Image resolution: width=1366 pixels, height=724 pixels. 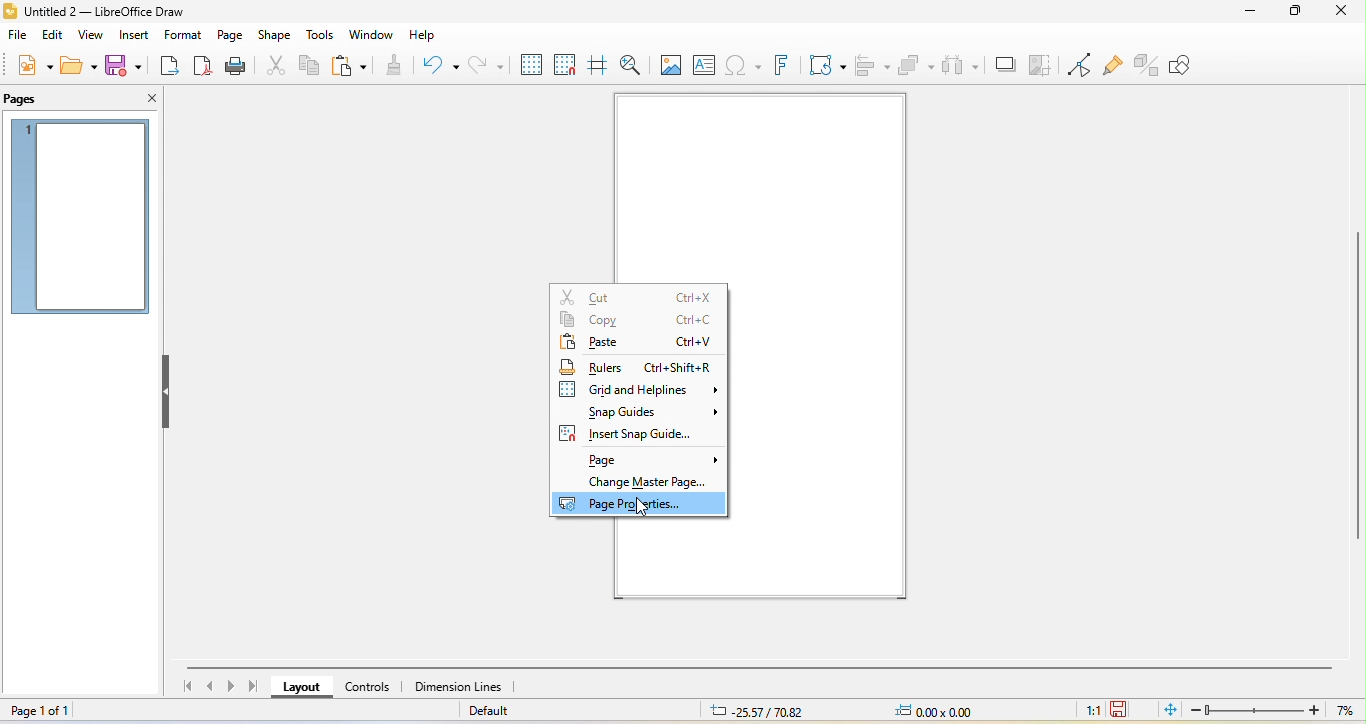 What do you see at coordinates (275, 36) in the screenshot?
I see `shape` at bounding box center [275, 36].